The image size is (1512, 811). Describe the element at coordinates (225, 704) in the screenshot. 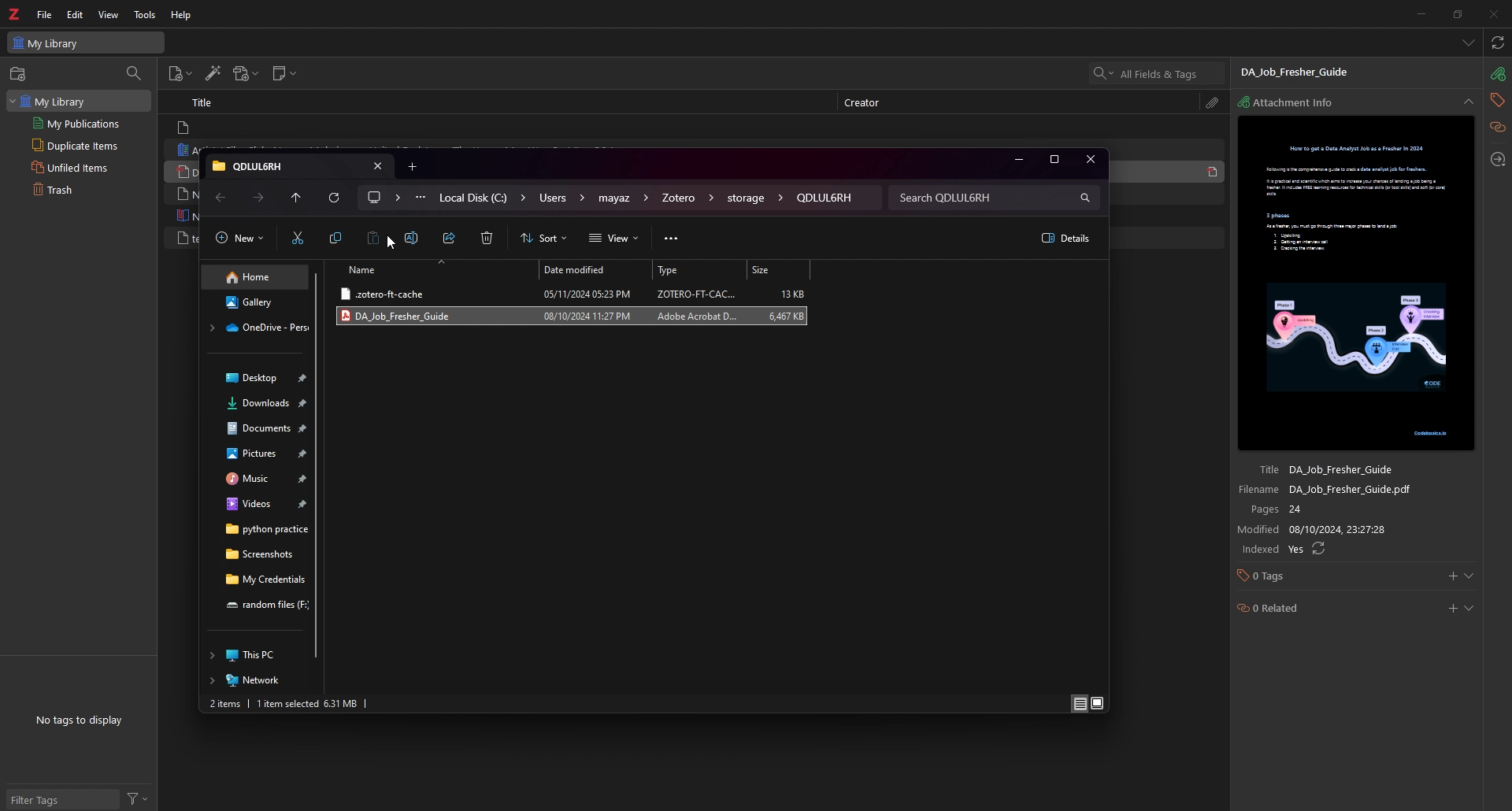

I see `items` at that location.